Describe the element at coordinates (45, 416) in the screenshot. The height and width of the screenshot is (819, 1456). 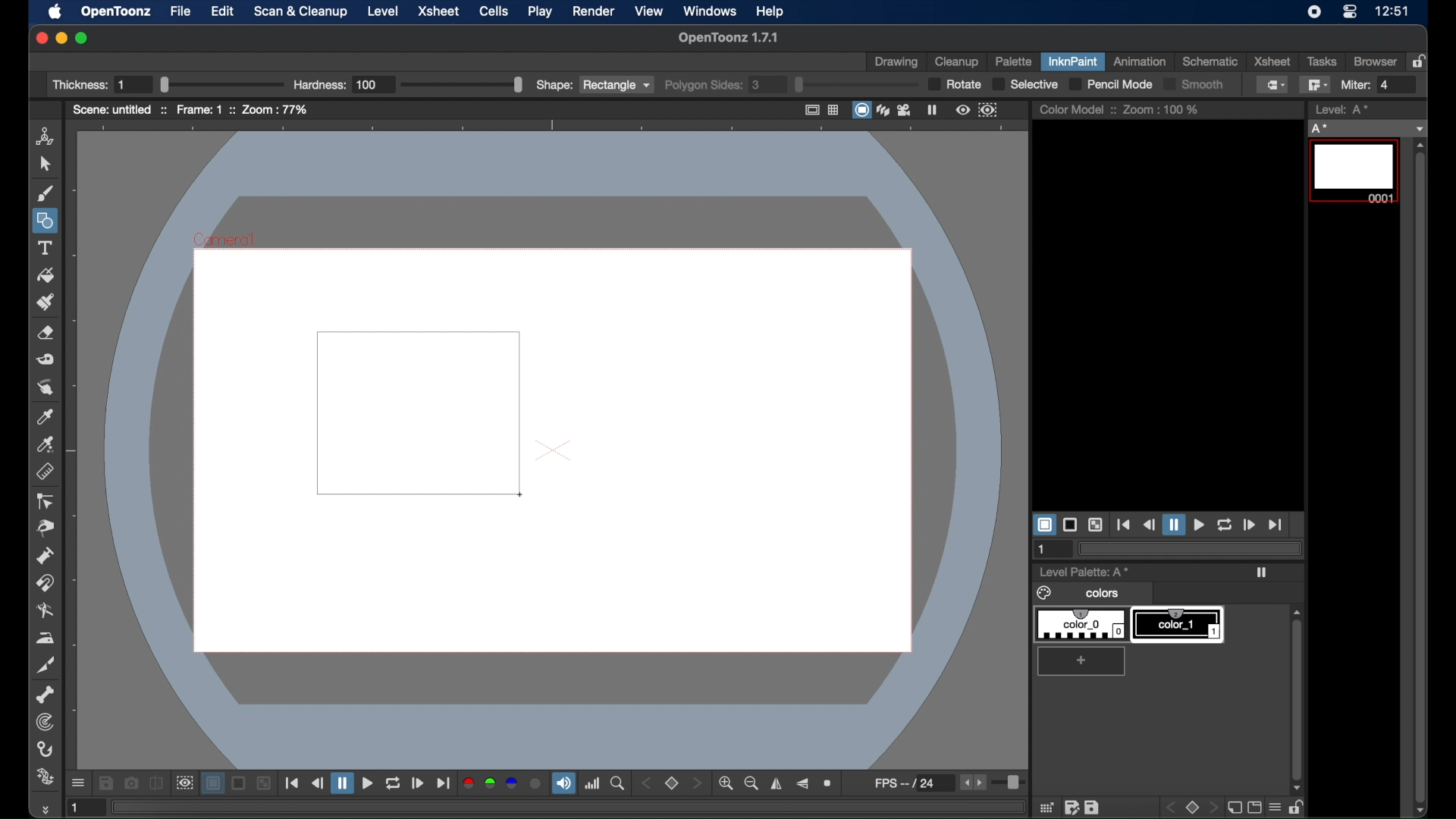
I see `picker tool` at that location.